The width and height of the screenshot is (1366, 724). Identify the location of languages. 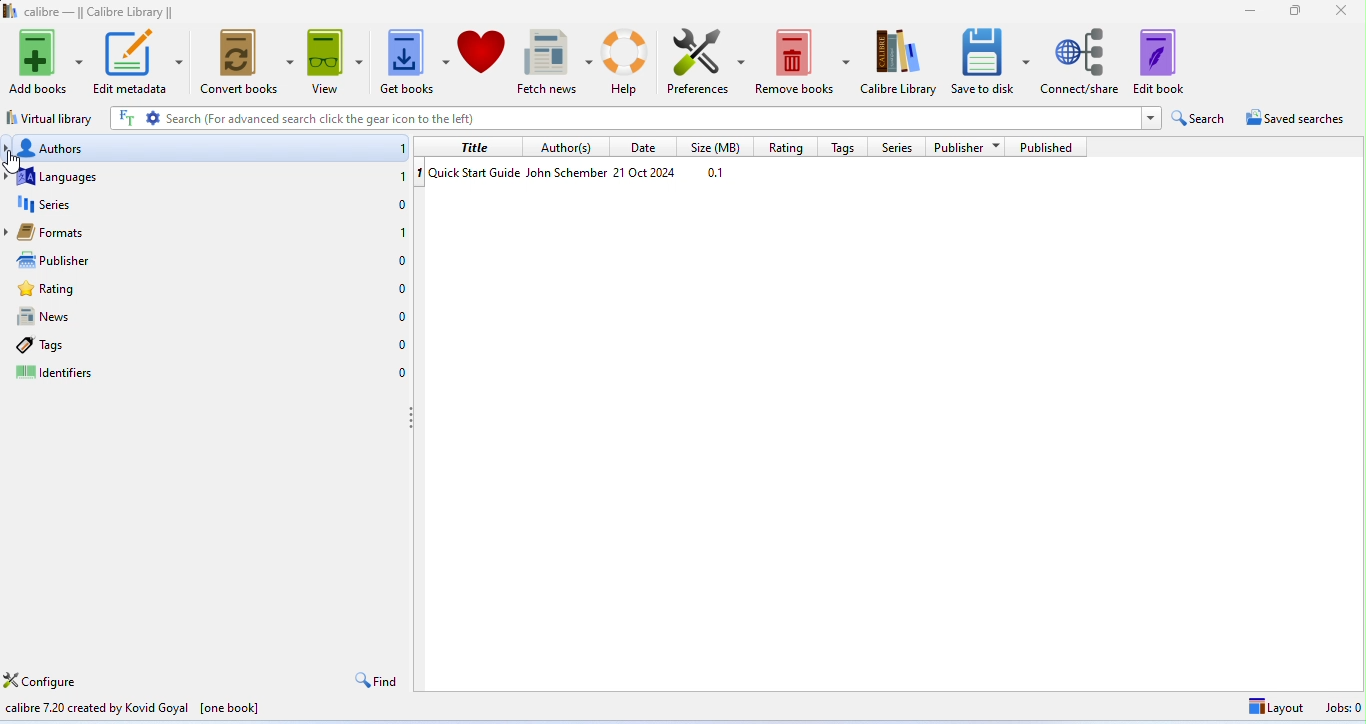
(216, 178).